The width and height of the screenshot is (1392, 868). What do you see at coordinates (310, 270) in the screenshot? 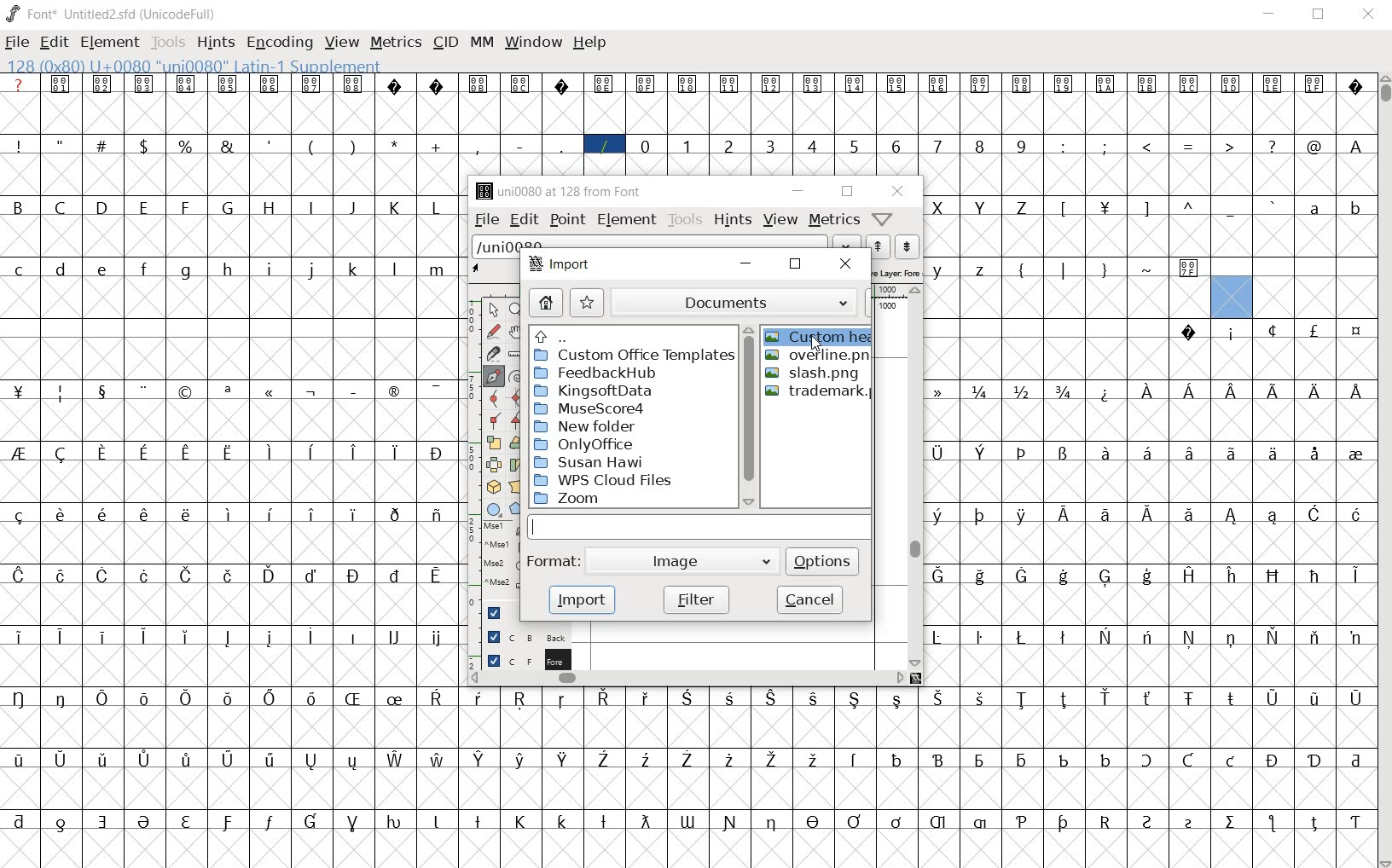
I see `glyph` at bounding box center [310, 270].